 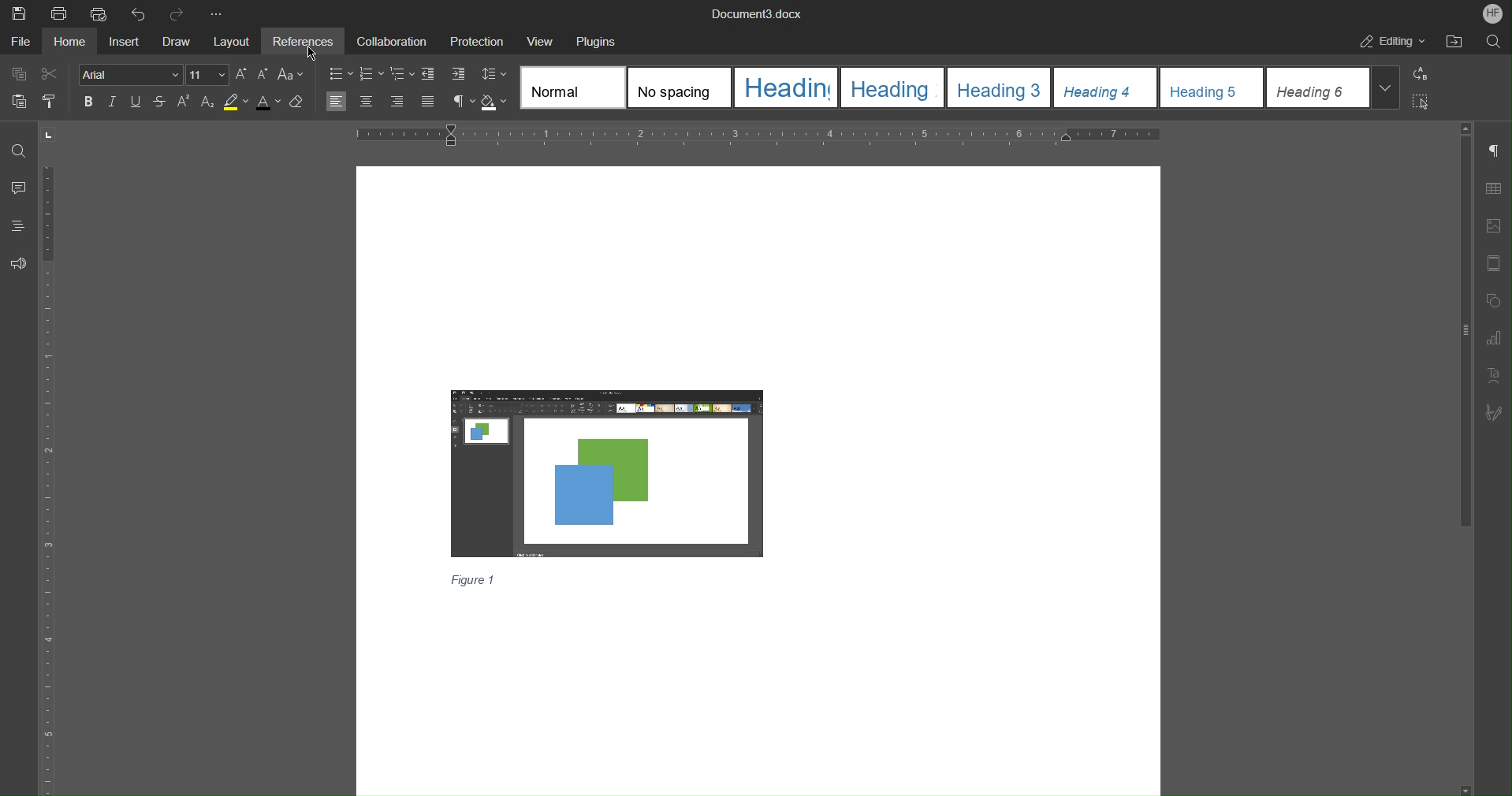 What do you see at coordinates (18, 150) in the screenshot?
I see `Find` at bounding box center [18, 150].